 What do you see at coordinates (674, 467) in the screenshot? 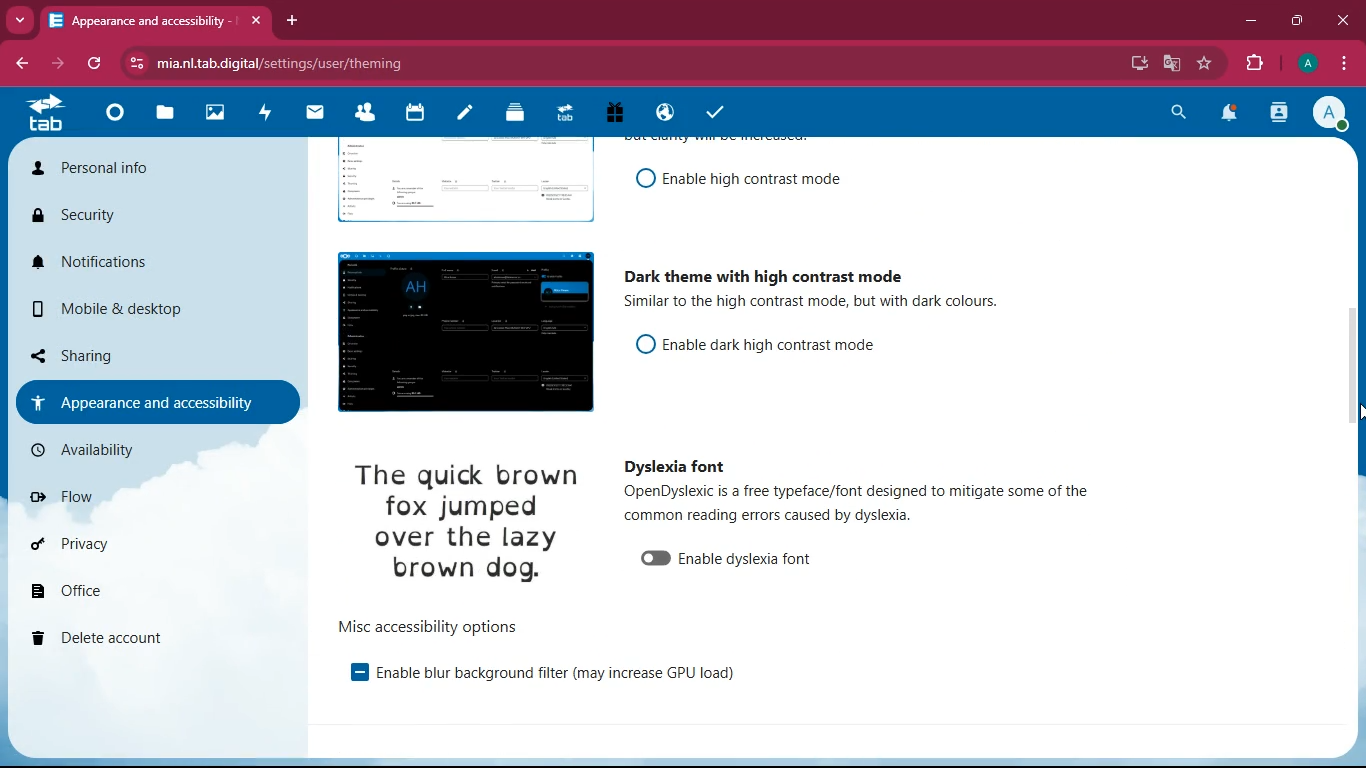
I see `dyslexia font` at bounding box center [674, 467].